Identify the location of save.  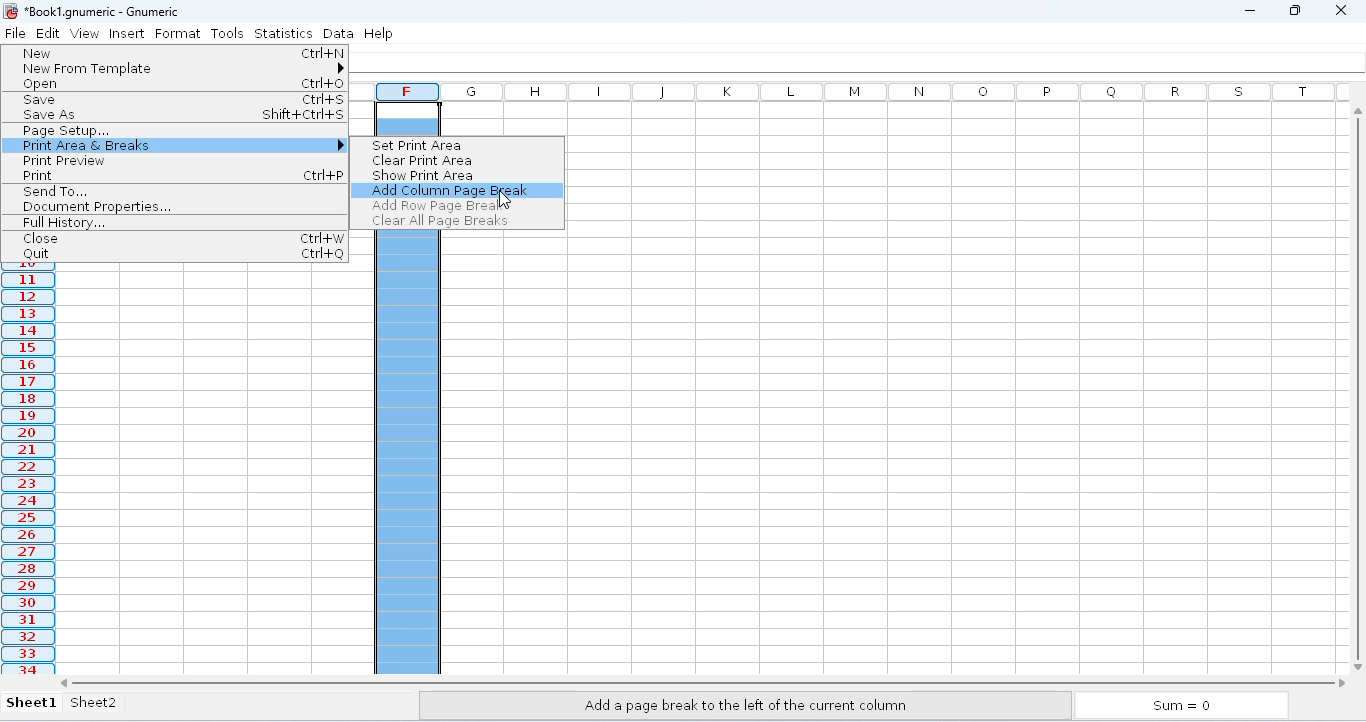
(40, 99).